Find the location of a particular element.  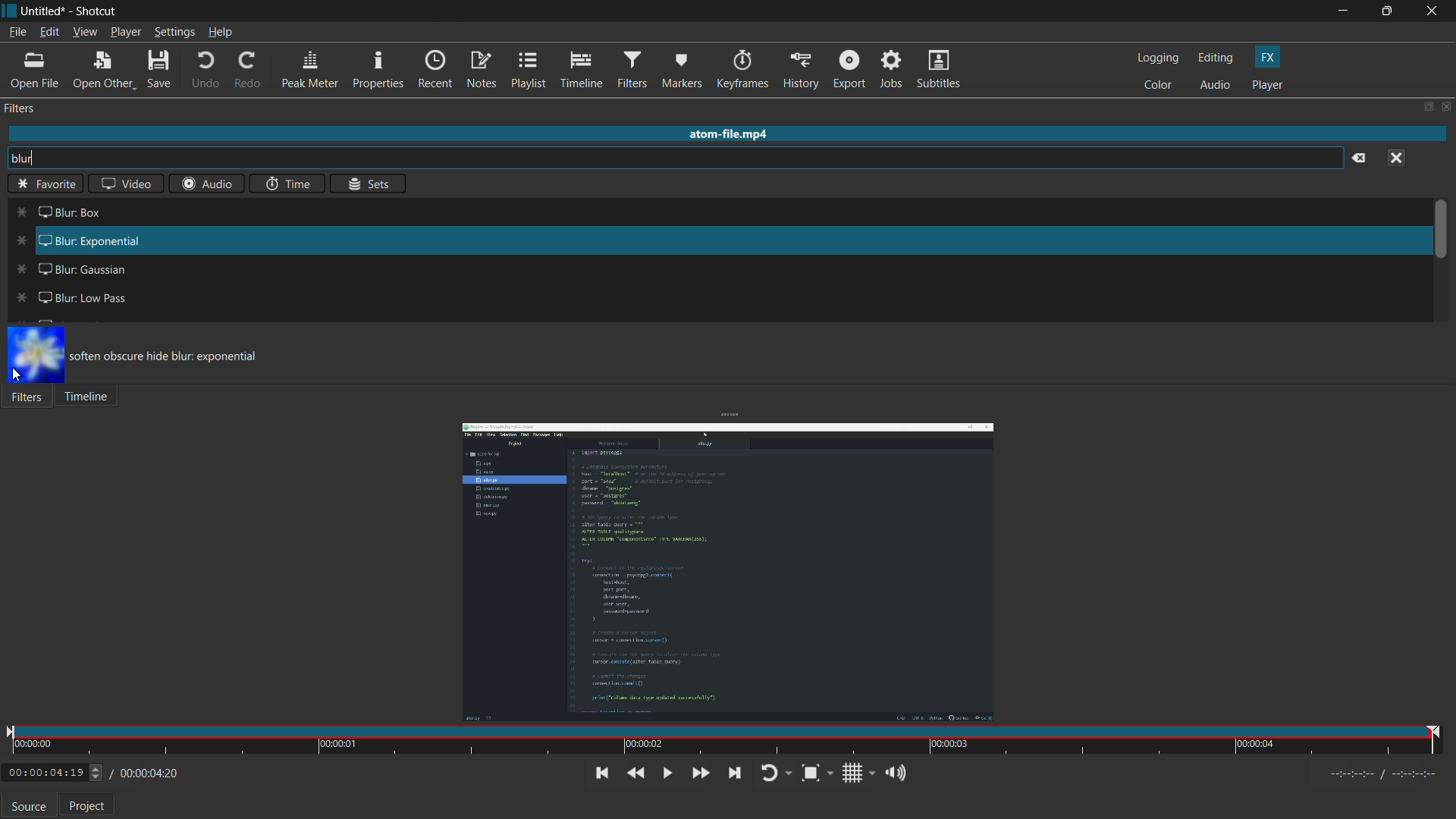

toggle grid display is located at coordinates (859, 775).